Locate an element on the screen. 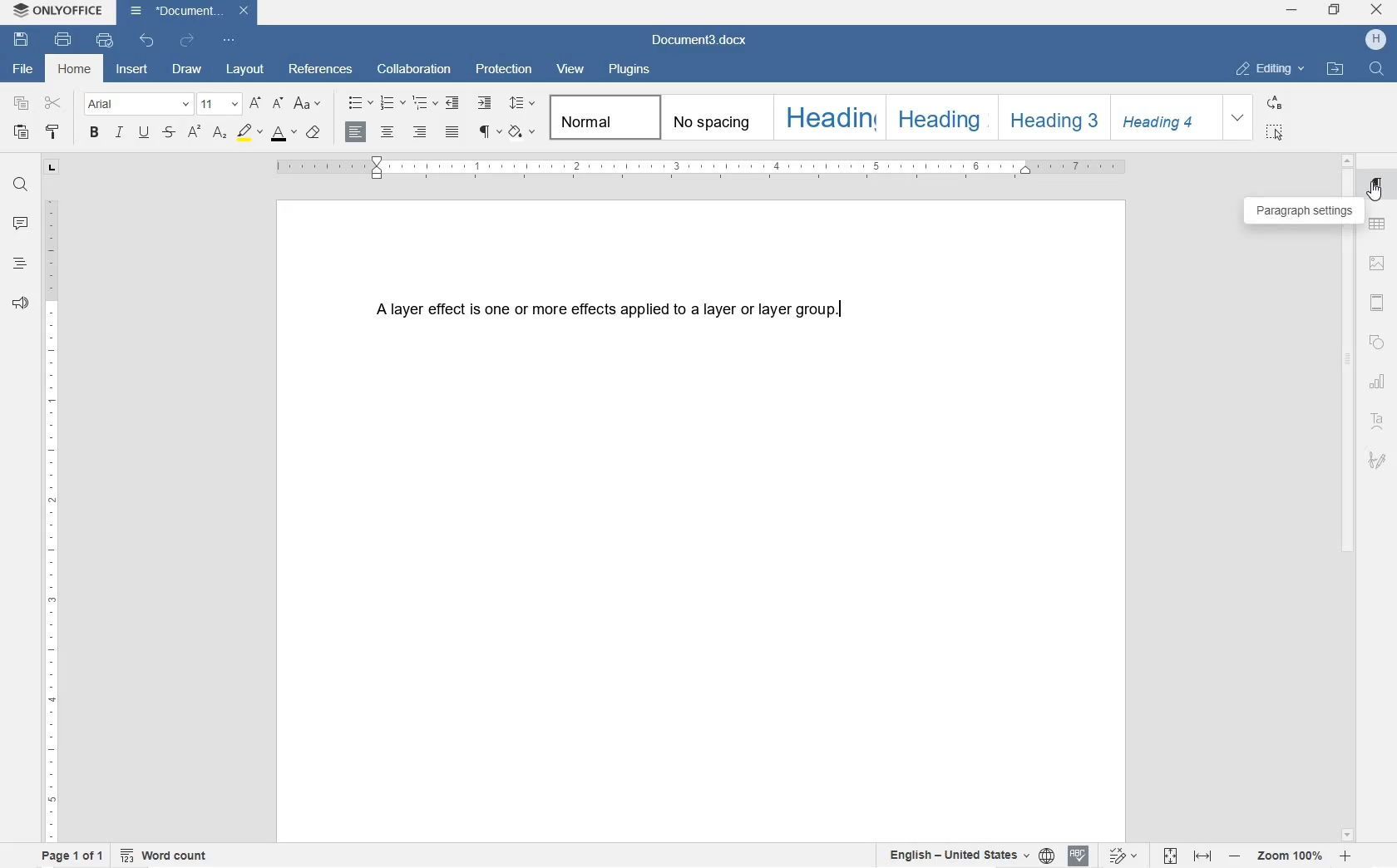 This screenshot has width=1397, height=868. STRIKETHROUGH is located at coordinates (168, 131).